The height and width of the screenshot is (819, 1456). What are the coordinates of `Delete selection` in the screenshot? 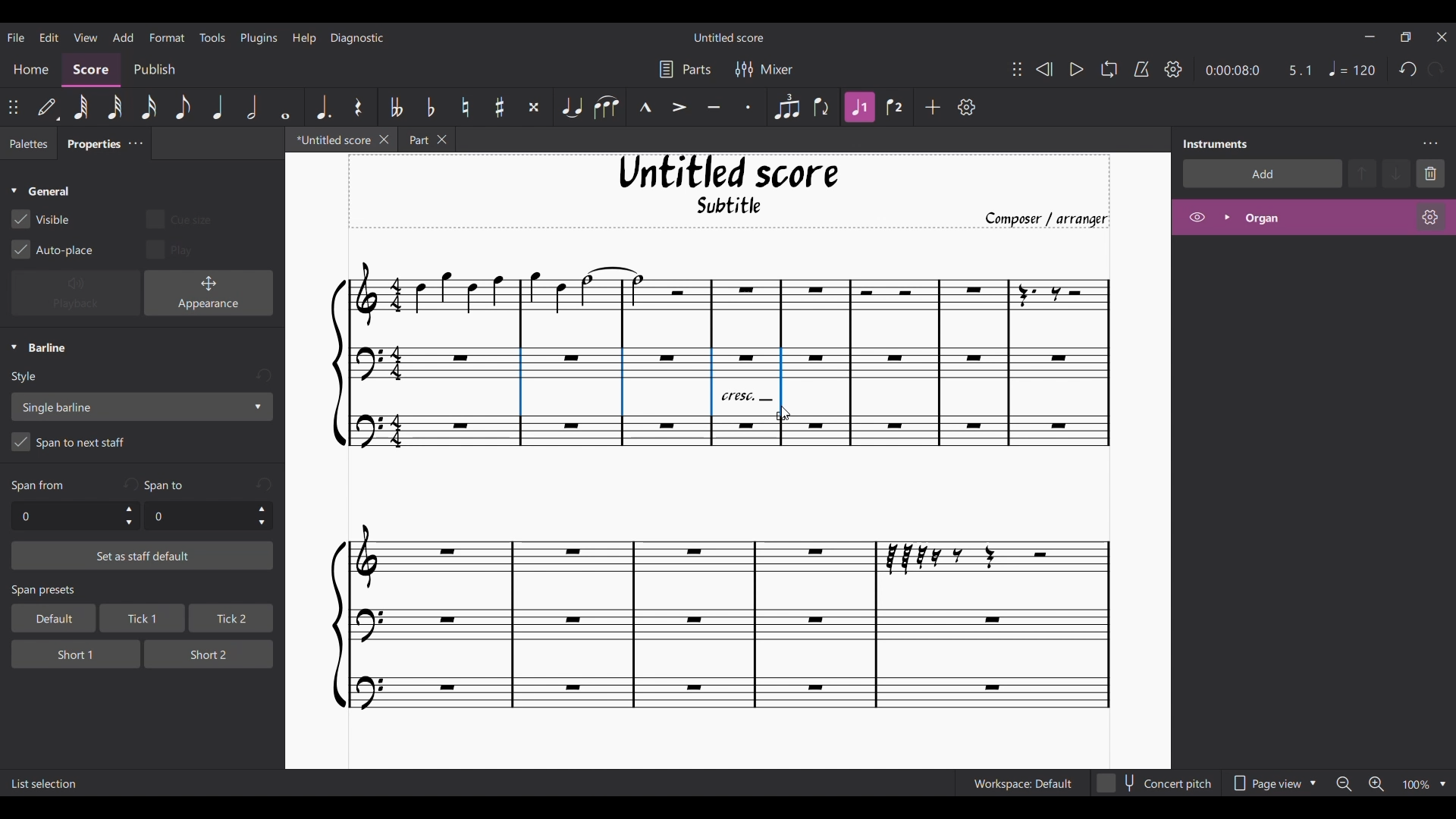 It's located at (1431, 173).